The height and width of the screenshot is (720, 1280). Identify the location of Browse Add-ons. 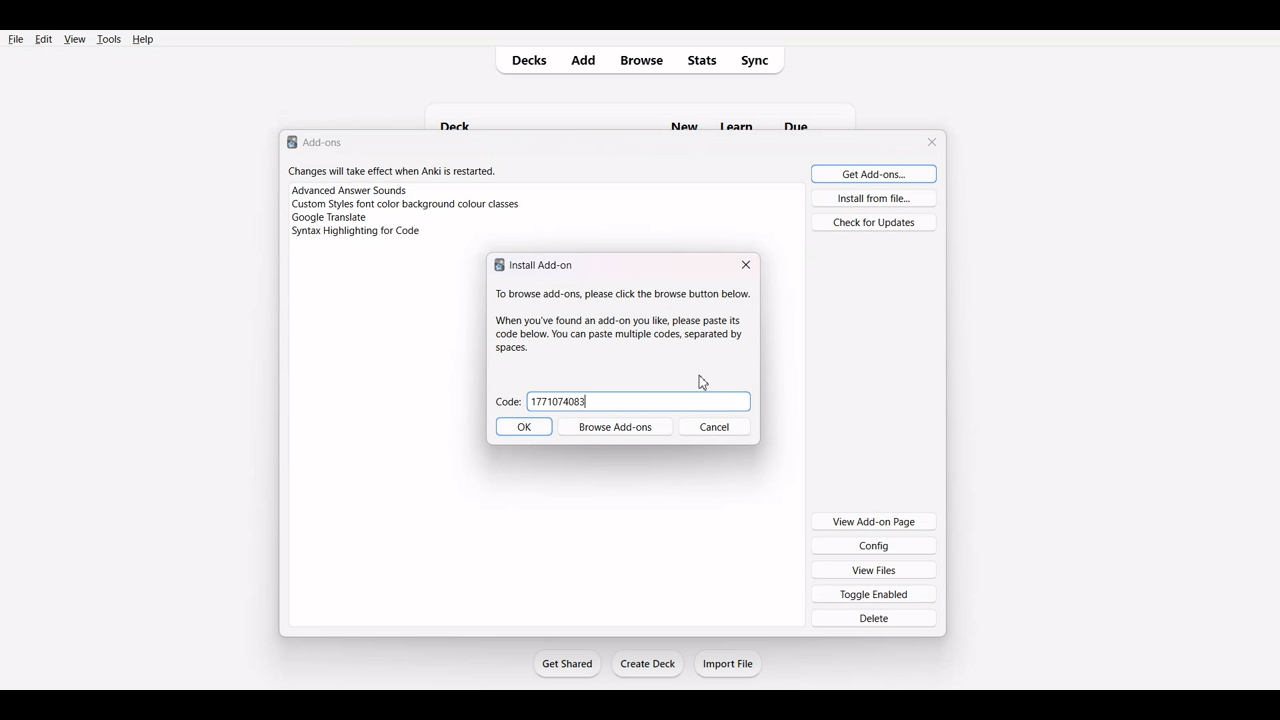
(619, 428).